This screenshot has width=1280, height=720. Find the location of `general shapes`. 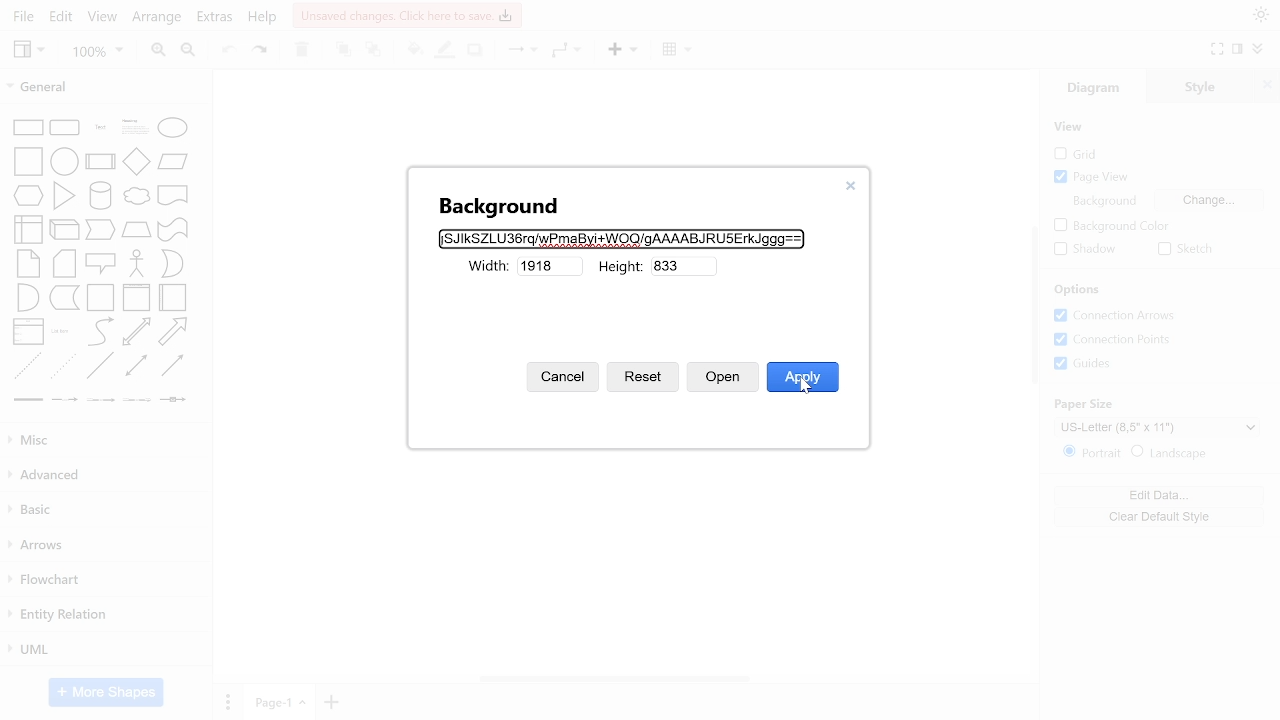

general shapes is located at coordinates (133, 161).